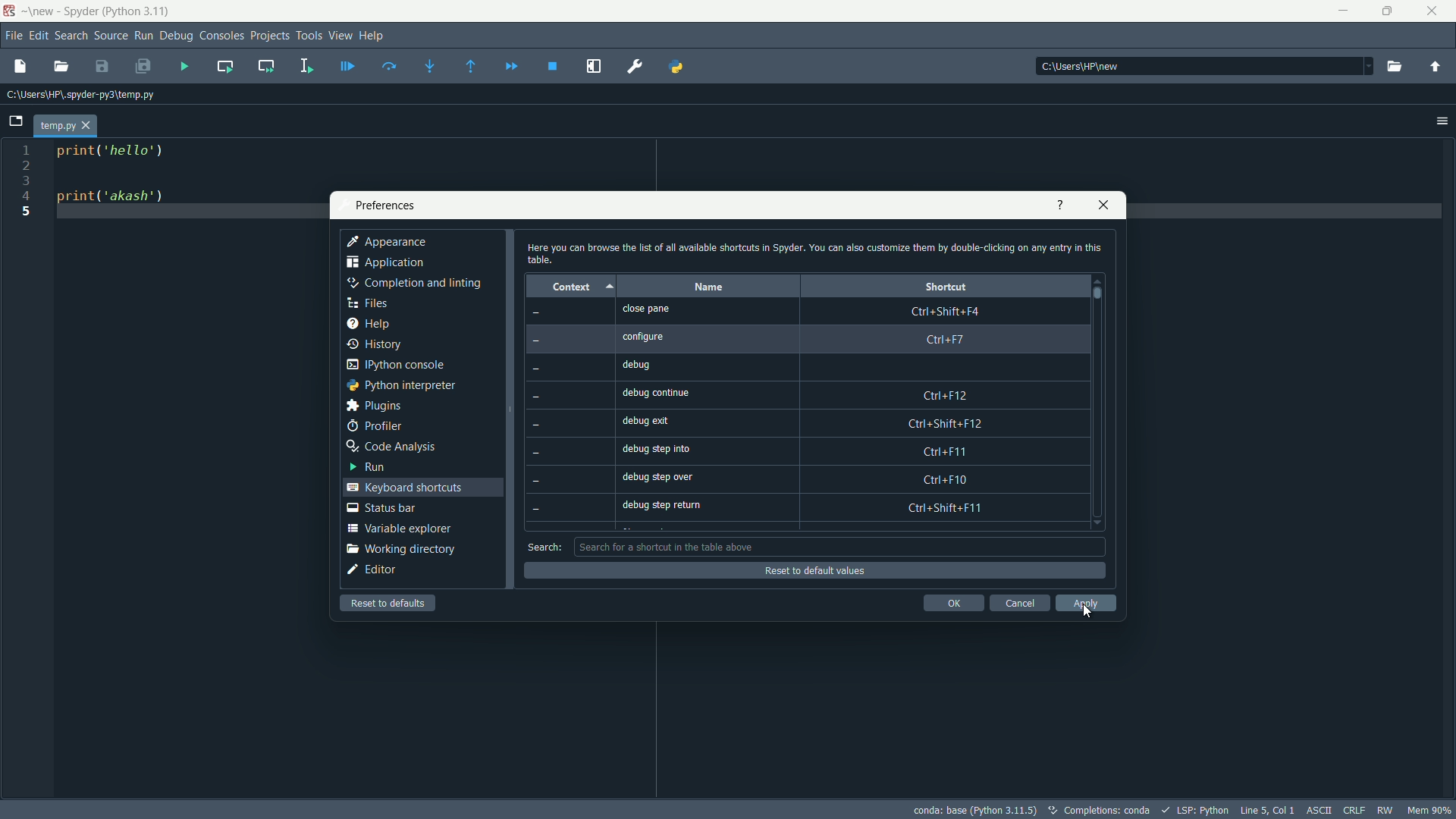 Image resolution: width=1456 pixels, height=819 pixels. Describe the element at coordinates (1437, 67) in the screenshot. I see `parent directory` at that location.